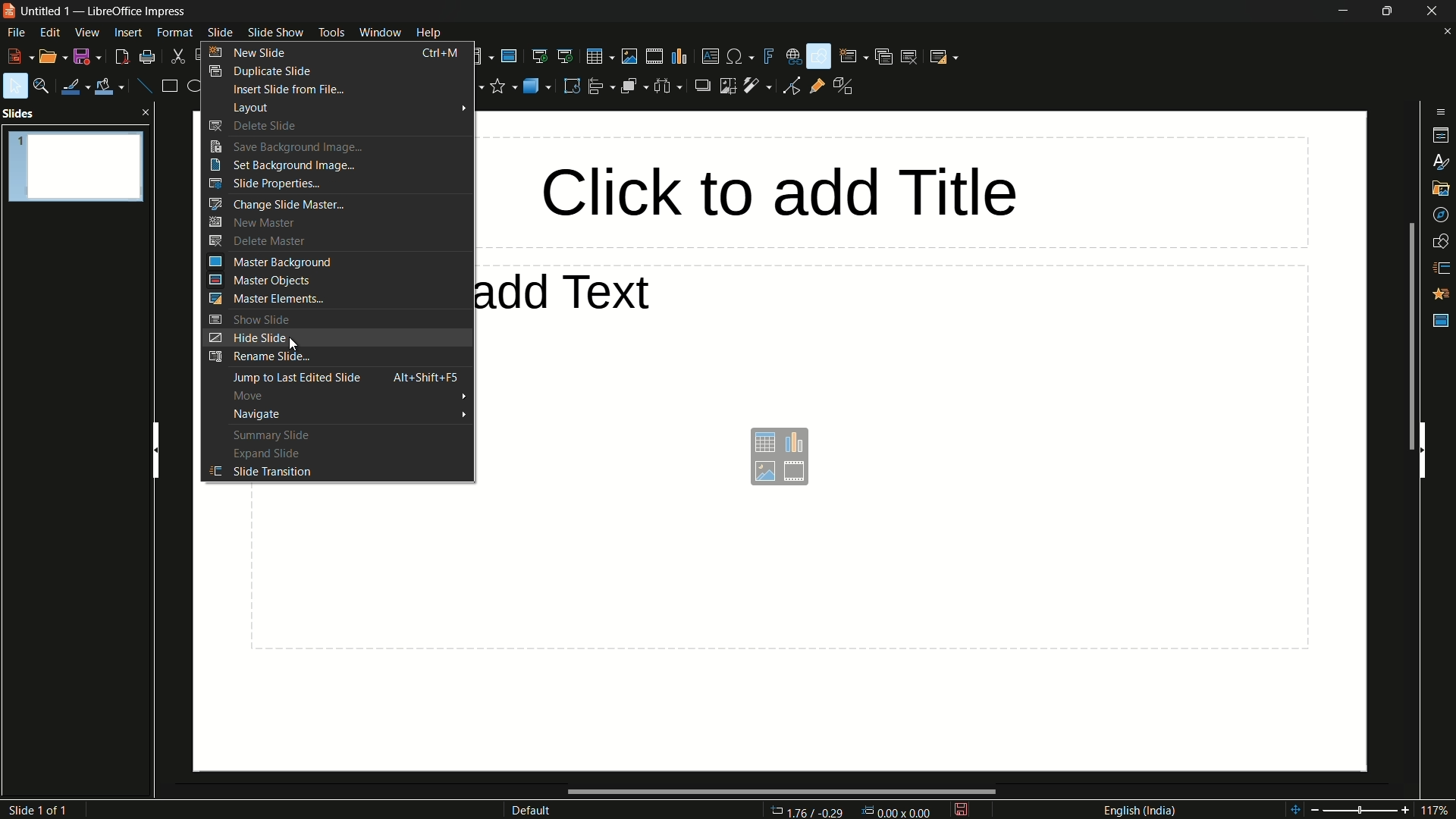 The width and height of the screenshot is (1456, 819). What do you see at coordinates (86, 33) in the screenshot?
I see `view menu` at bounding box center [86, 33].